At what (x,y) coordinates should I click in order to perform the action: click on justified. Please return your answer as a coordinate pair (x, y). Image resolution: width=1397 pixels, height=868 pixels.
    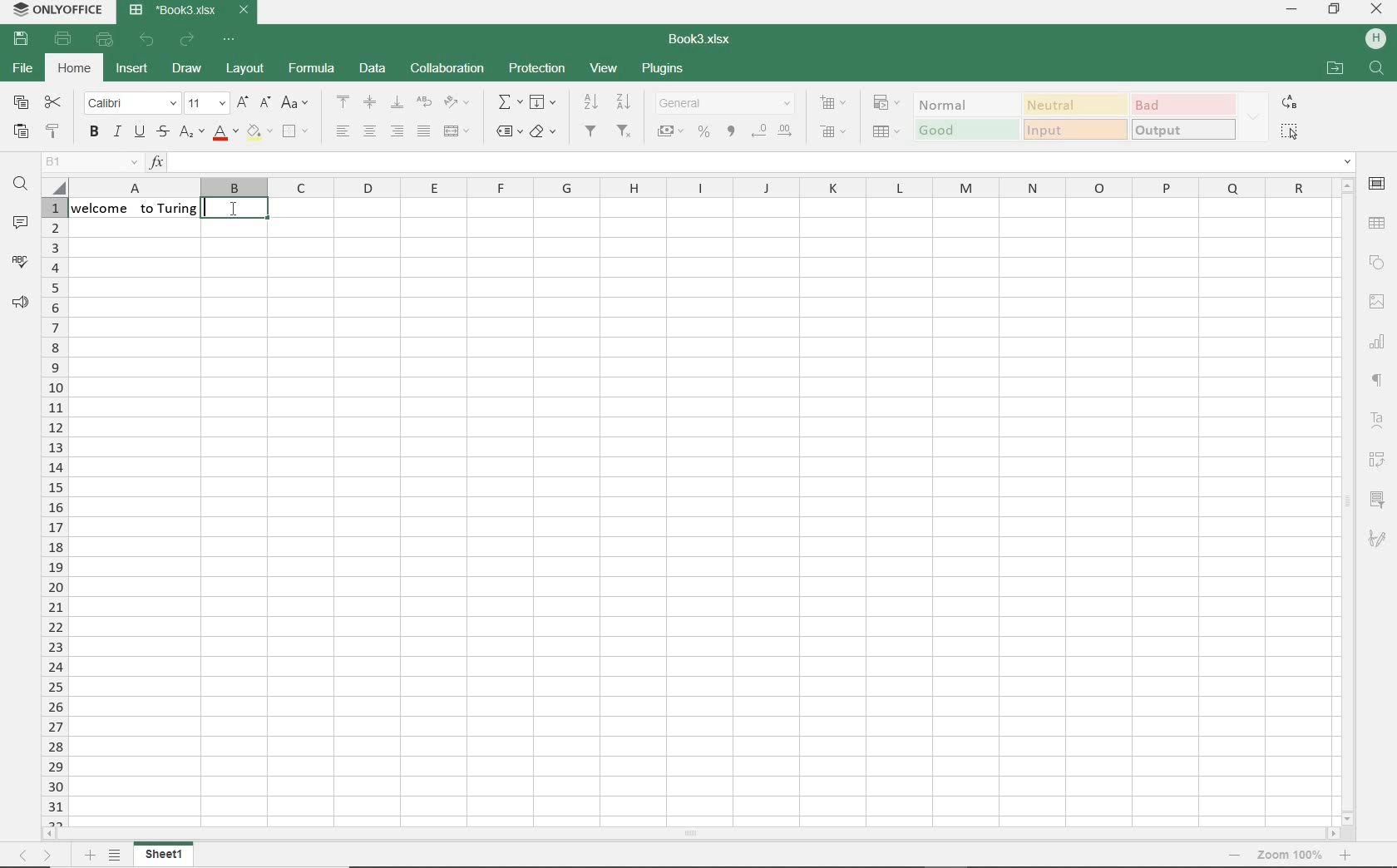
    Looking at the image, I should click on (423, 131).